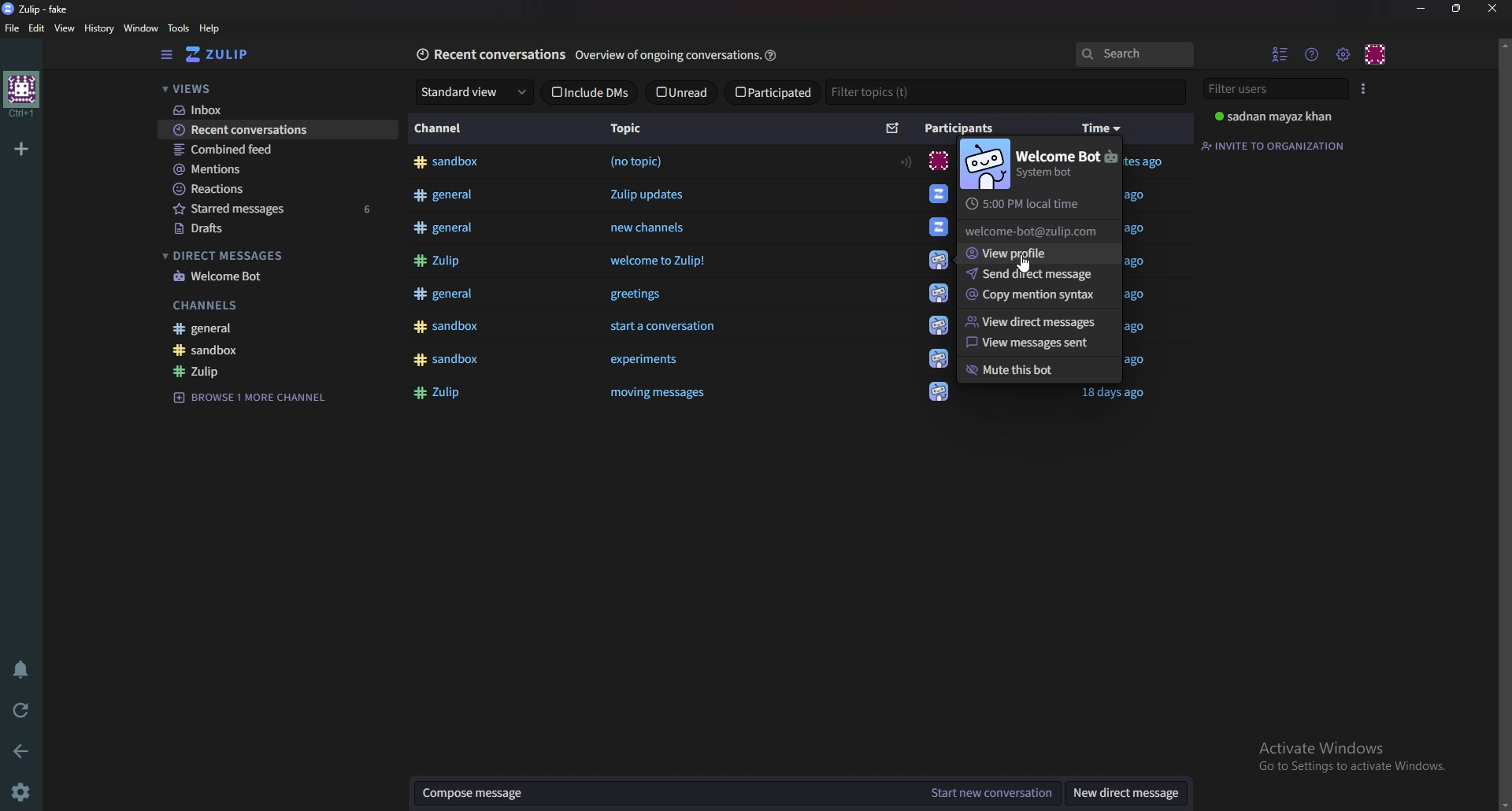  I want to click on unread, so click(681, 91).